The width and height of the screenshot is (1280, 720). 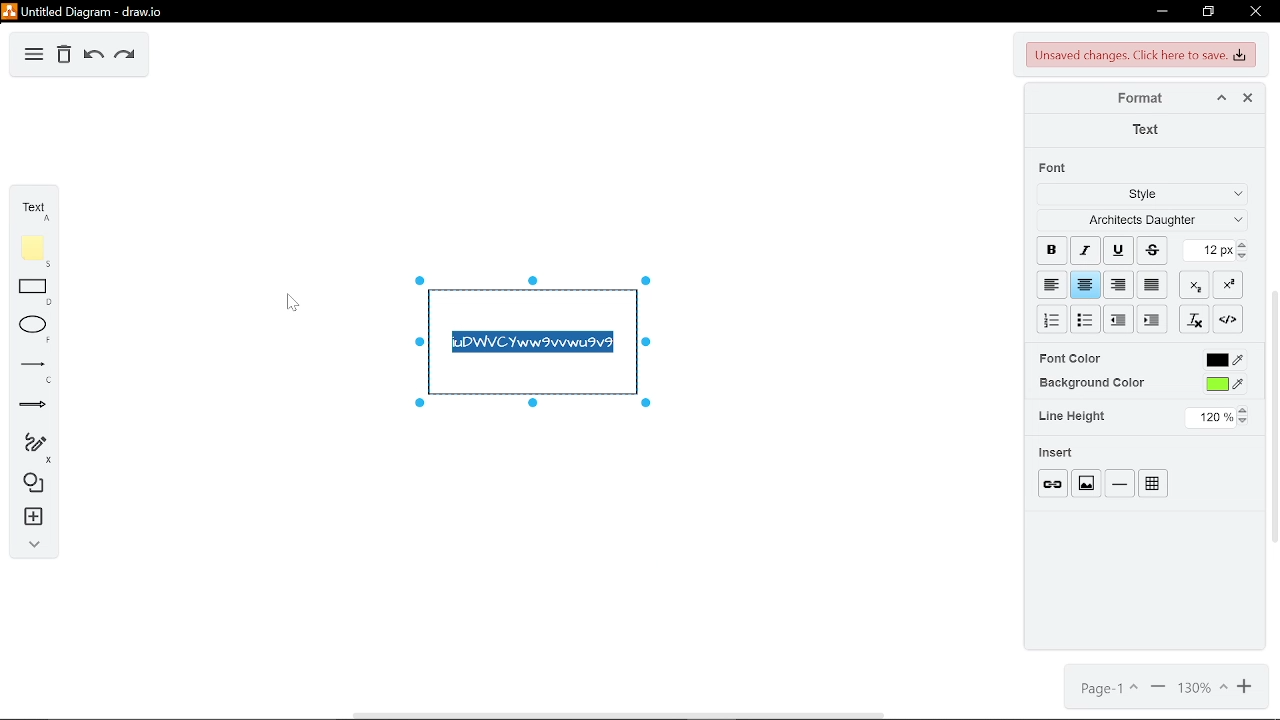 I want to click on insert image, so click(x=1086, y=483).